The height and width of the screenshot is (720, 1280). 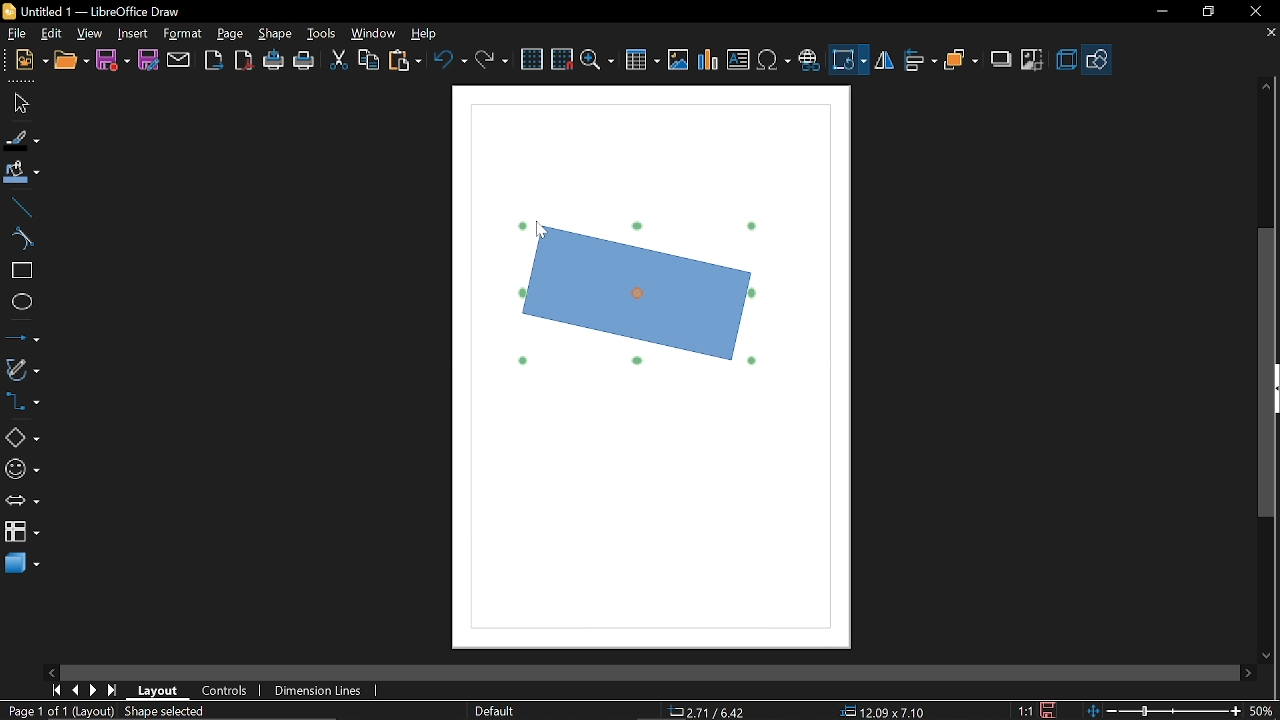 What do you see at coordinates (112, 60) in the screenshot?
I see `Save` at bounding box center [112, 60].